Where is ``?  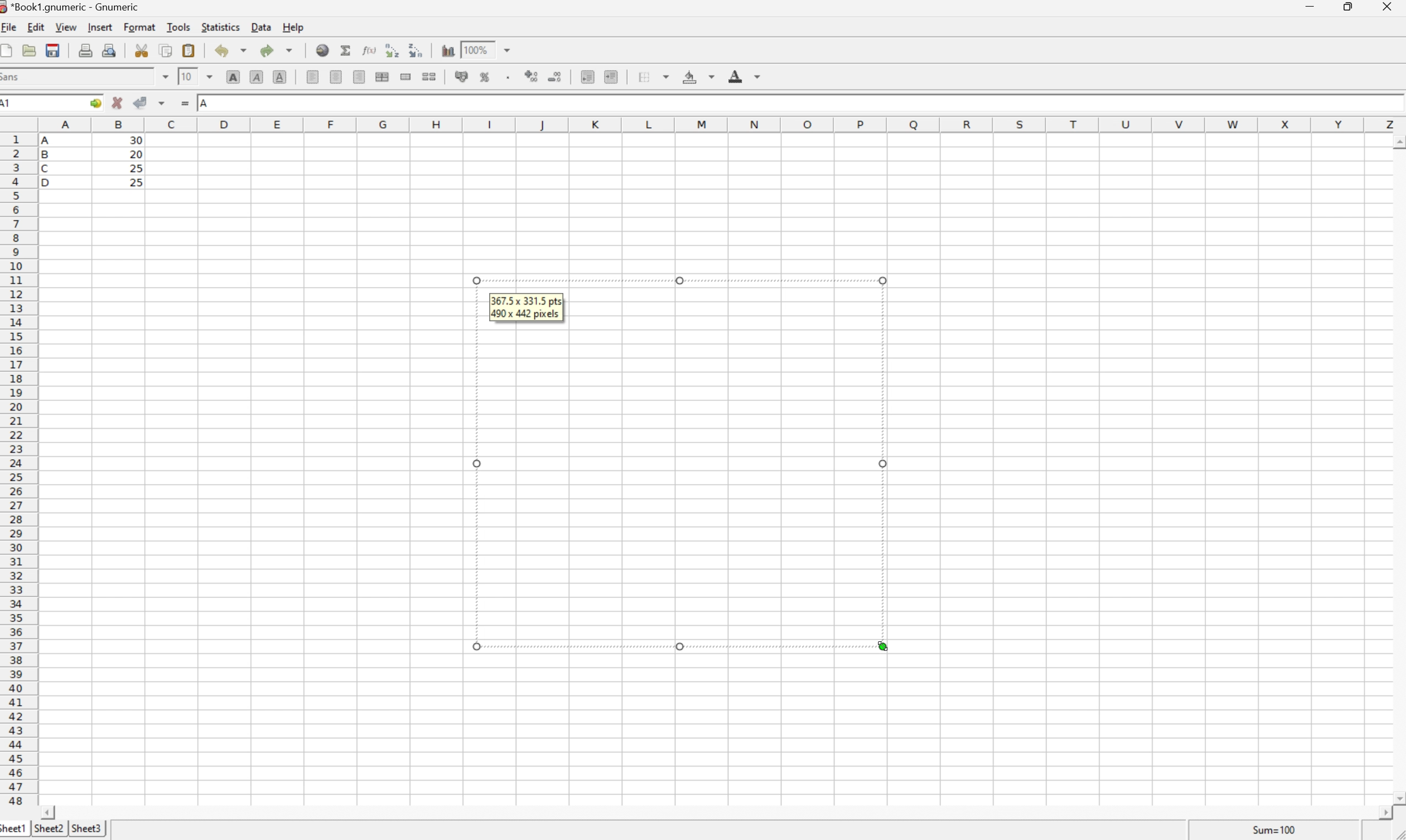  is located at coordinates (680, 283).